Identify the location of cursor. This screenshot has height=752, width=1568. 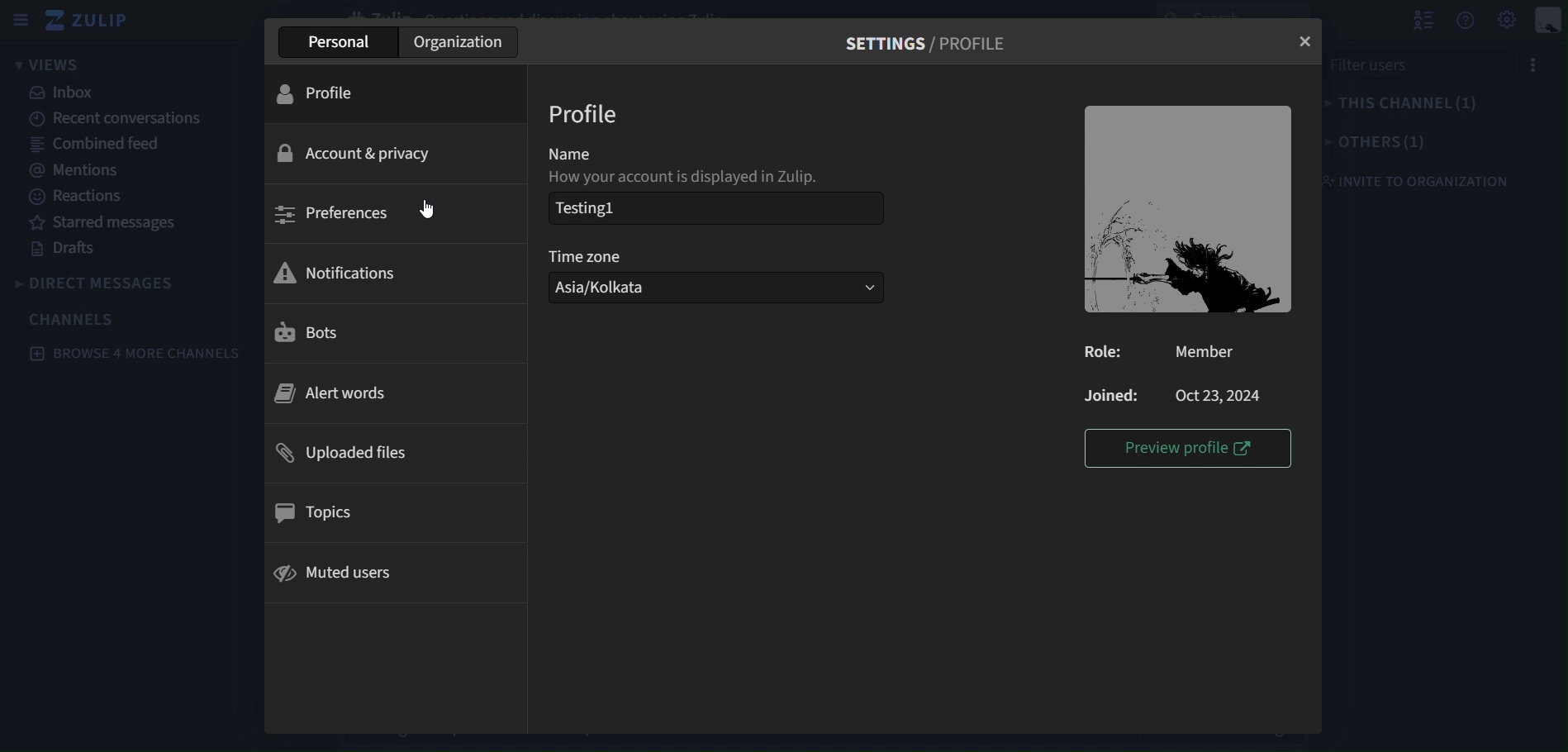
(433, 207).